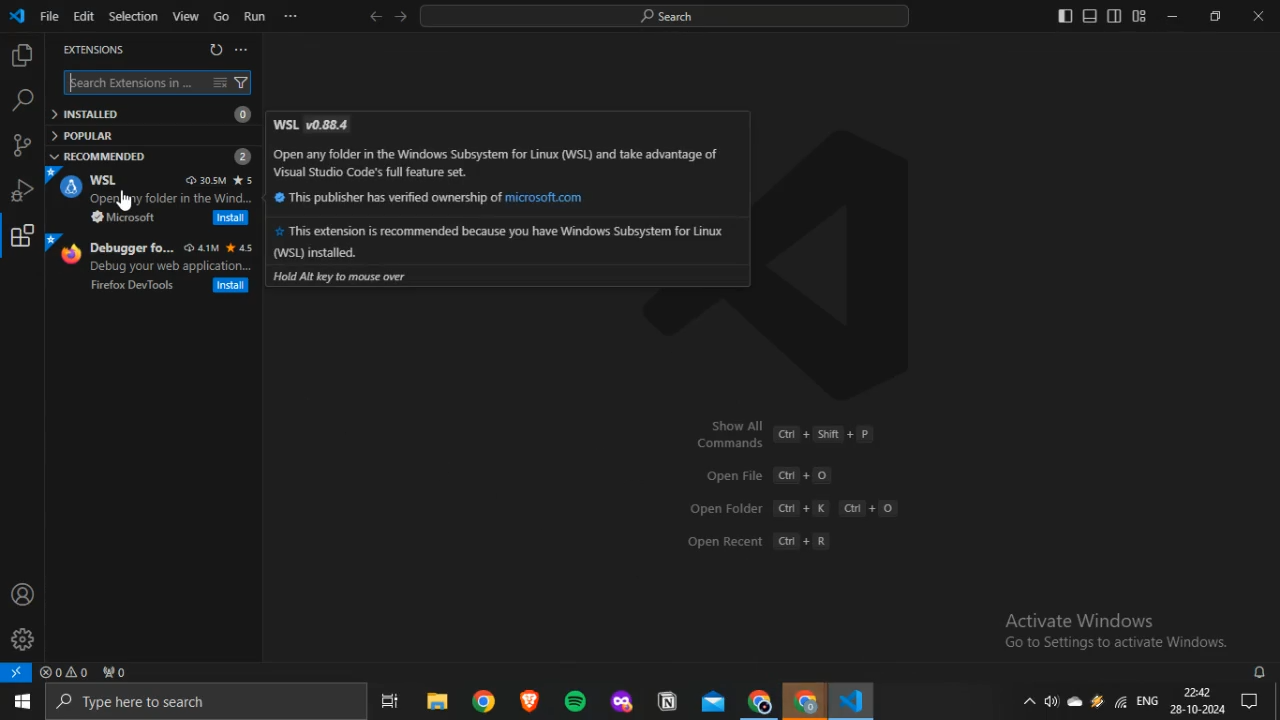  What do you see at coordinates (546, 197) in the screenshot?
I see `microsoft.com` at bounding box center [546, 197].